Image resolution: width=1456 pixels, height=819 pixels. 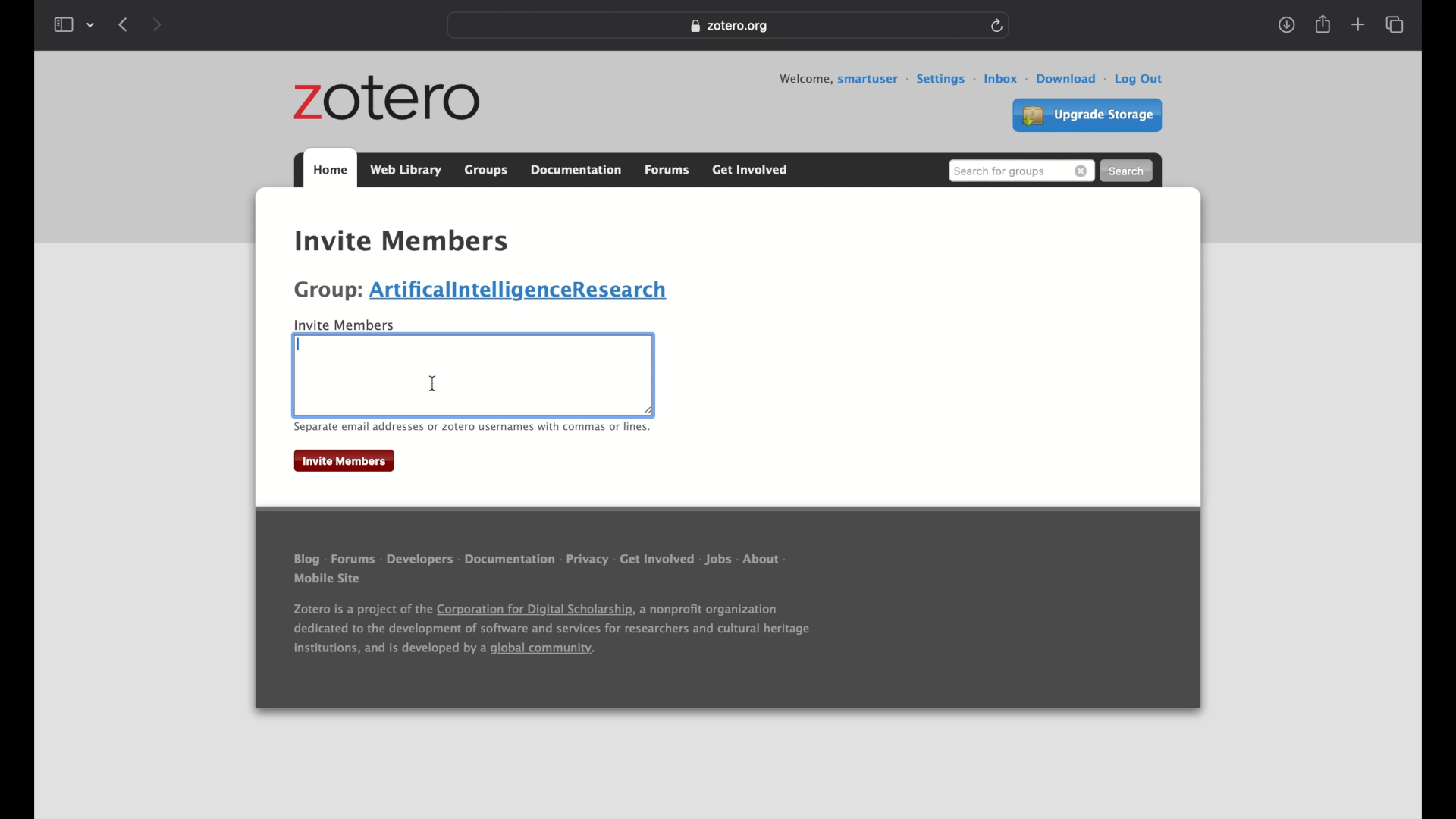 What do you see at coordinates (160, 24) in the screenshot?
I see `next ` at bounding box center [160, 24].